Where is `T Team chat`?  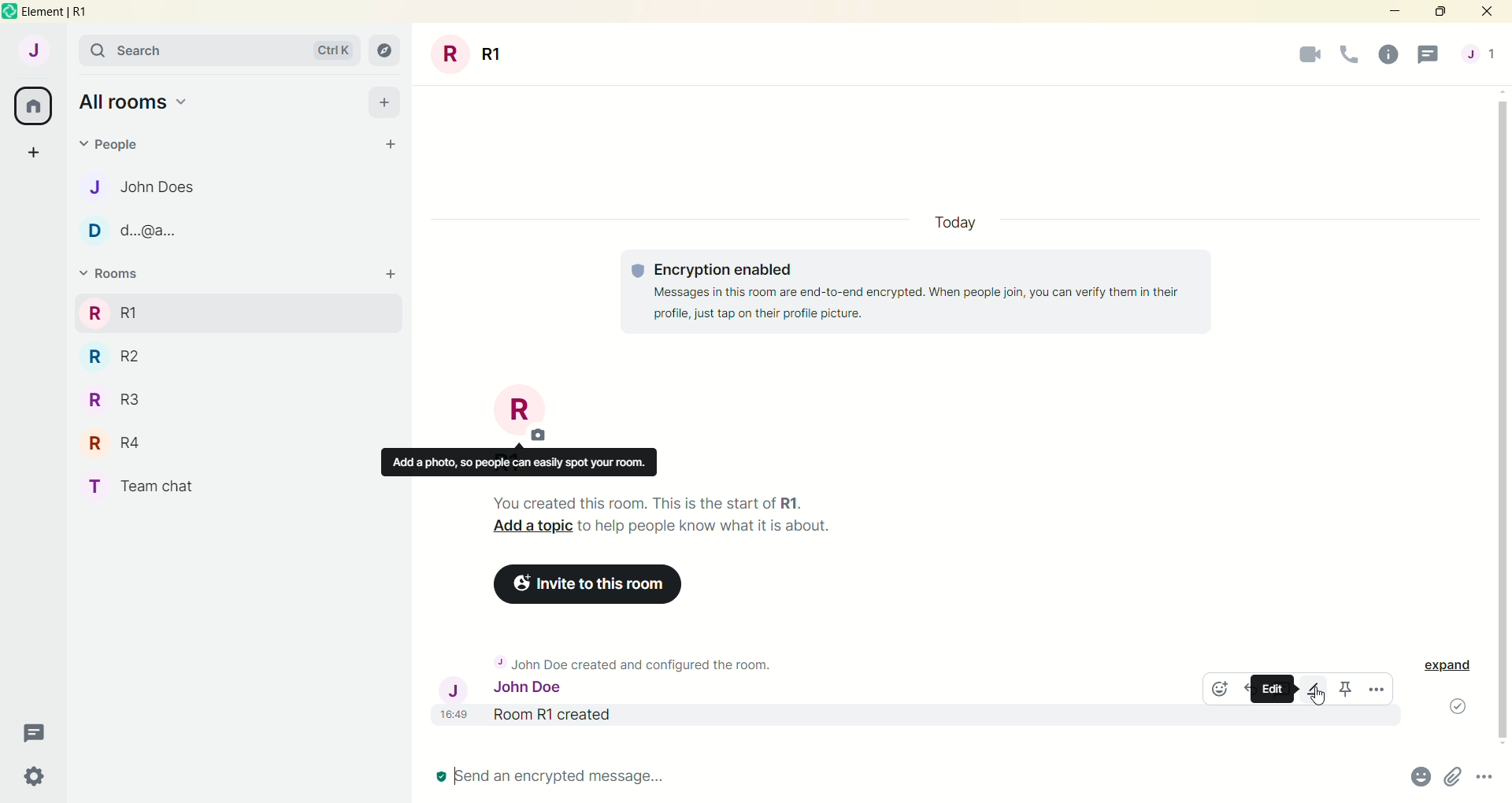
T Team chat is located at coordinates (144, 483).